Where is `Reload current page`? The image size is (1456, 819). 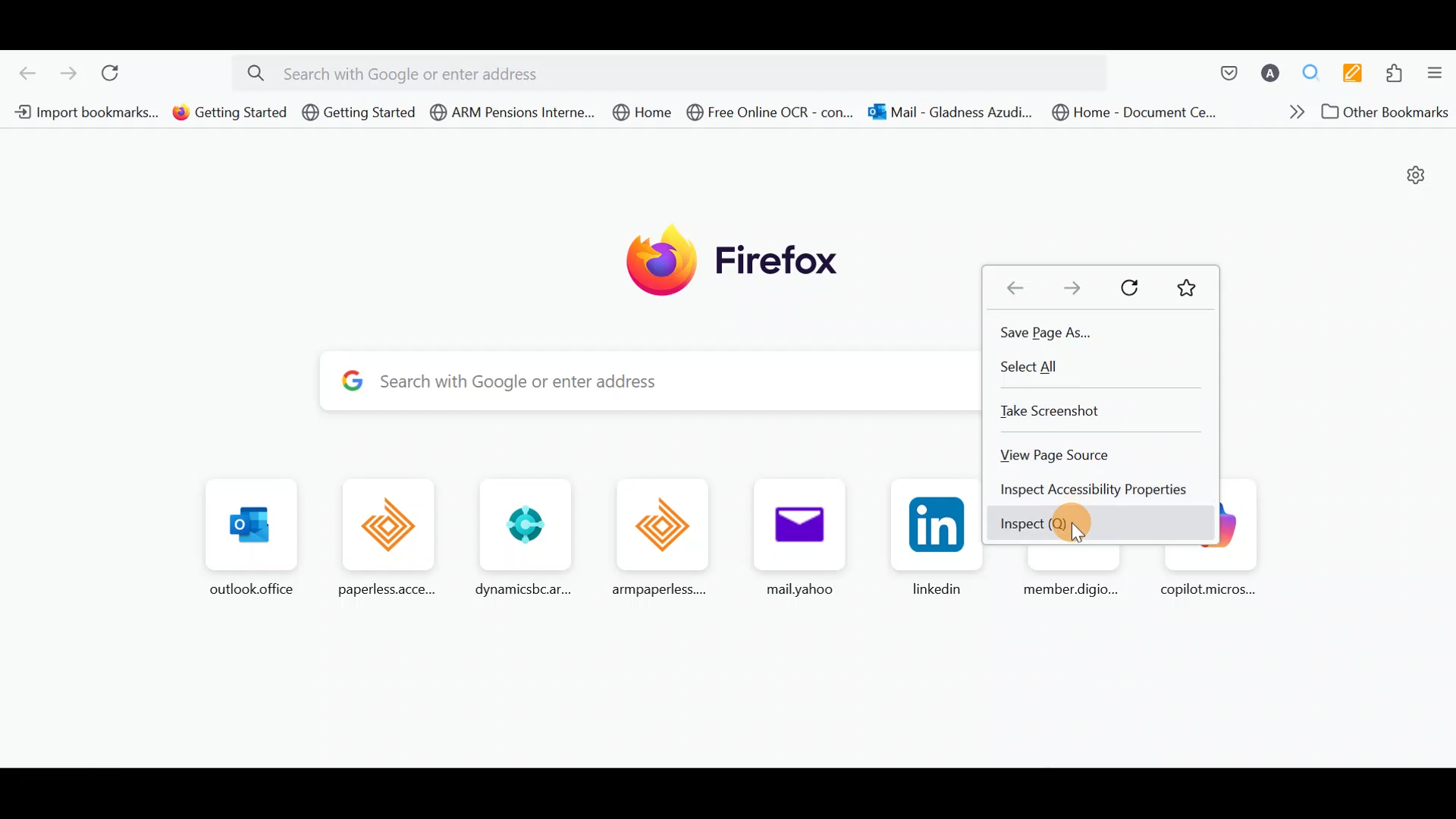 Reload current page is located at coordinates (115, 71).